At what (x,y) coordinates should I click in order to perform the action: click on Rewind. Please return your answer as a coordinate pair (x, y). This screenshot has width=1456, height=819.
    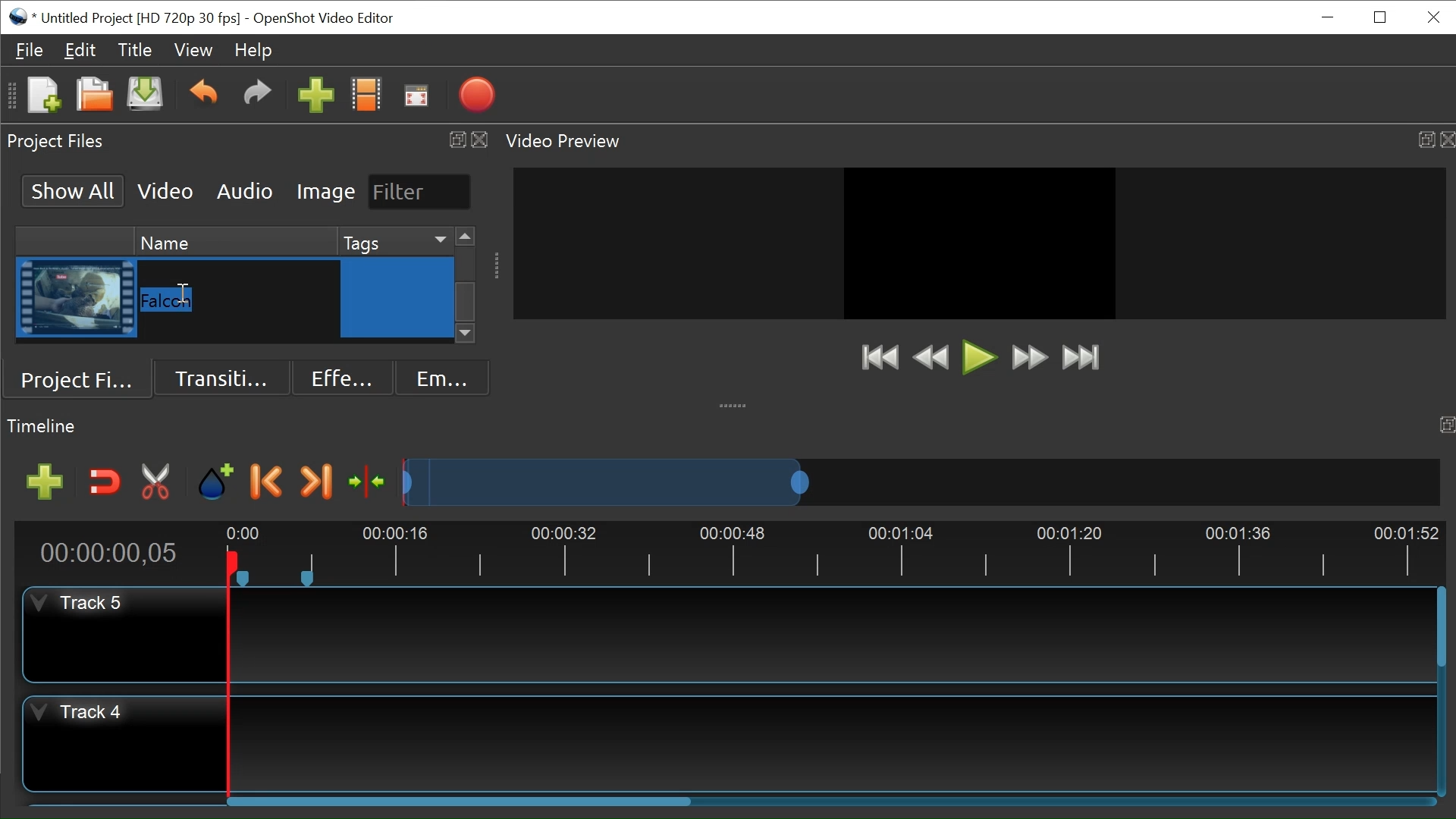
    Looking at the image, I should click on (930, 357).